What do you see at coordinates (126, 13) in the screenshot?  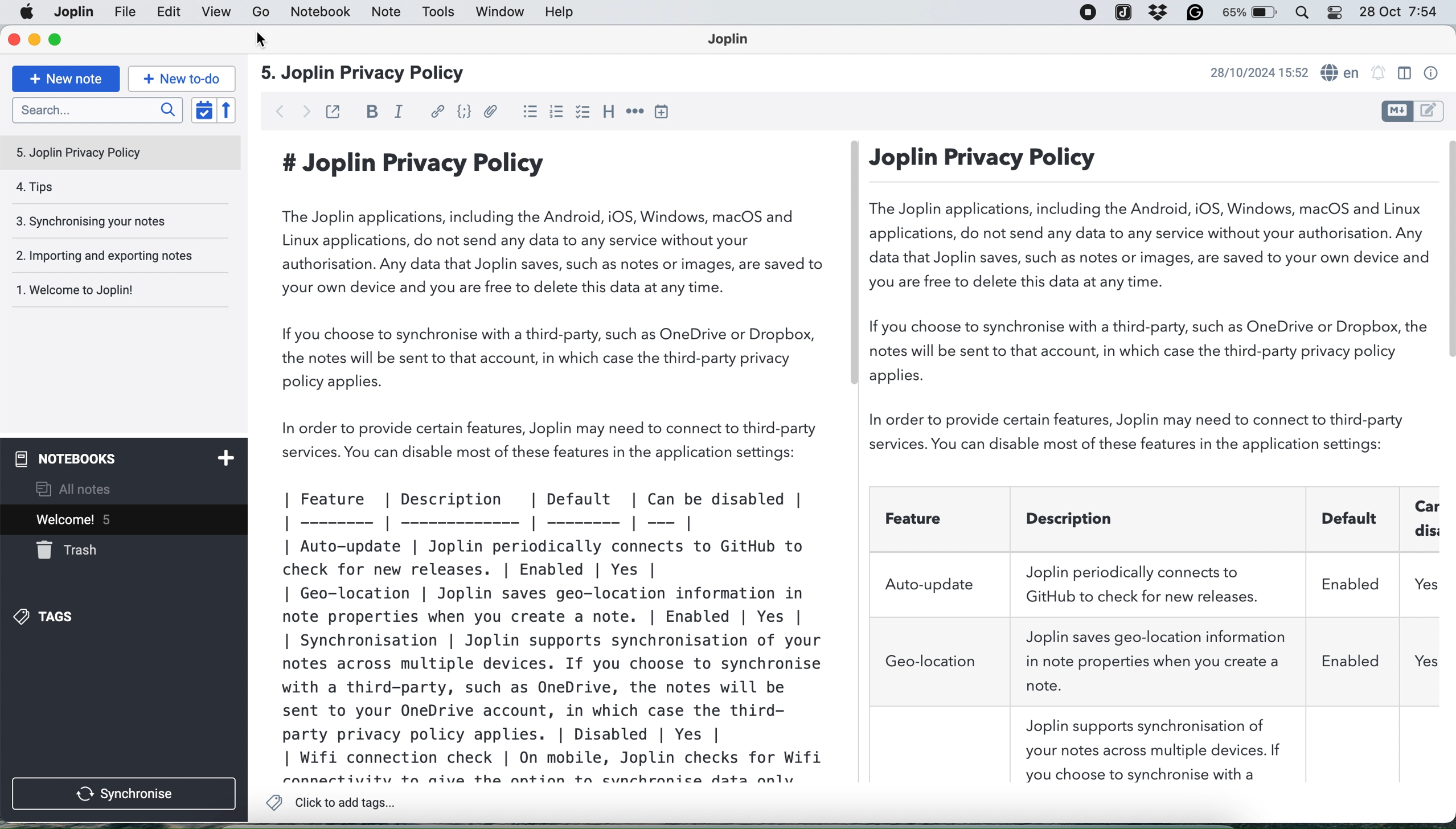 I see `joplin` at bounding box center [126, 13].